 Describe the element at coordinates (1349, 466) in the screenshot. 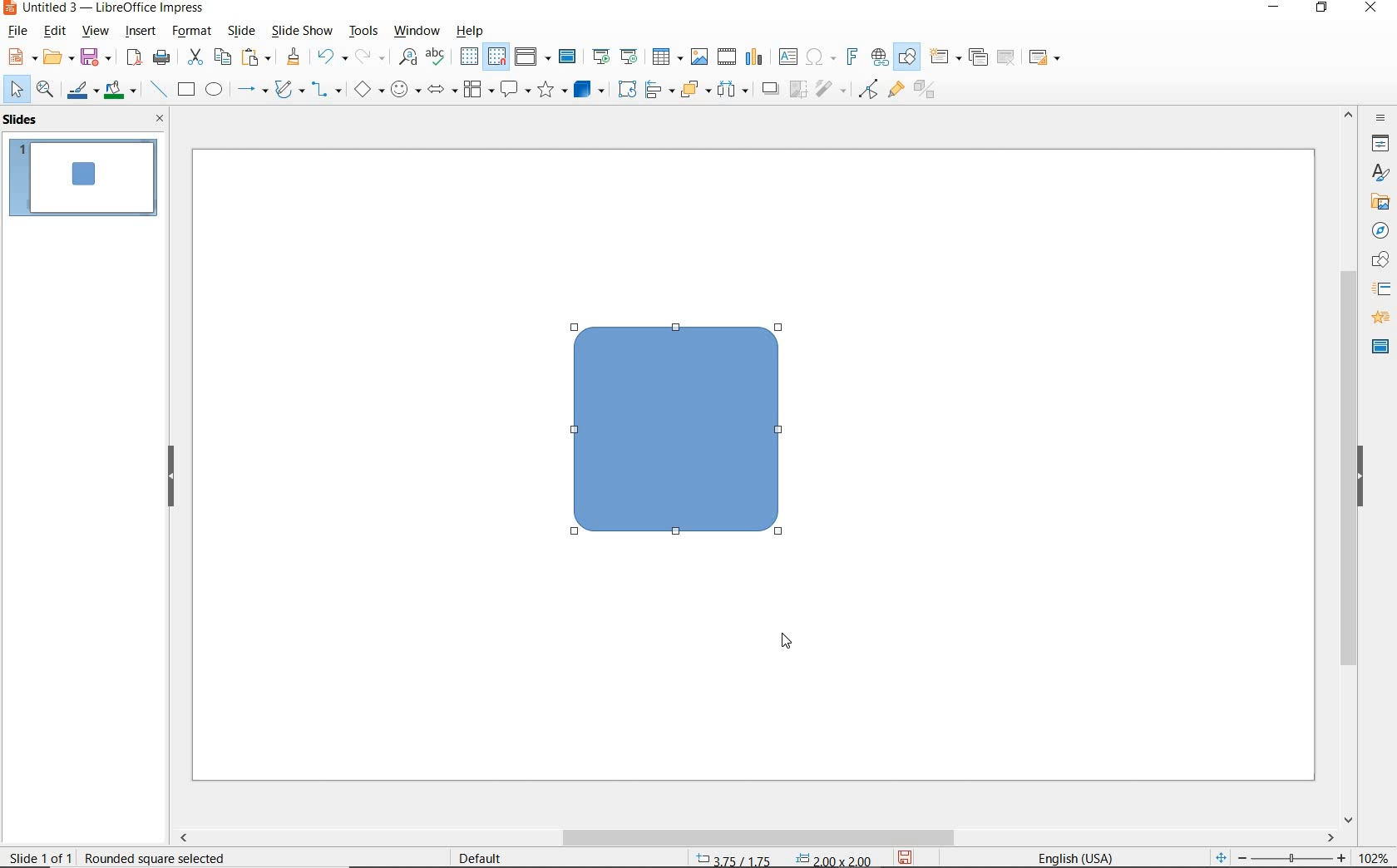

I see `scrollbar` at that location.